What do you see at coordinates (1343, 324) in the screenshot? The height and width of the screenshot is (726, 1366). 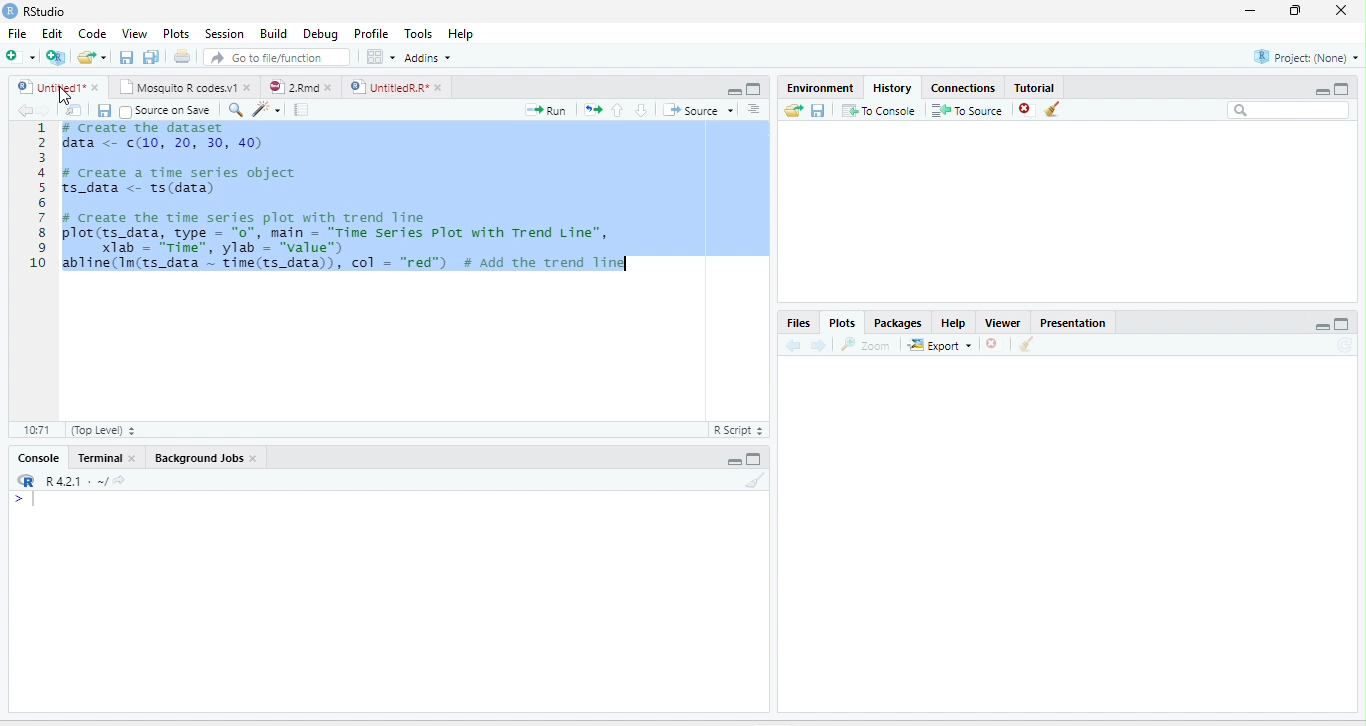 I see `Maximize` at bounding box center [1343, 324].